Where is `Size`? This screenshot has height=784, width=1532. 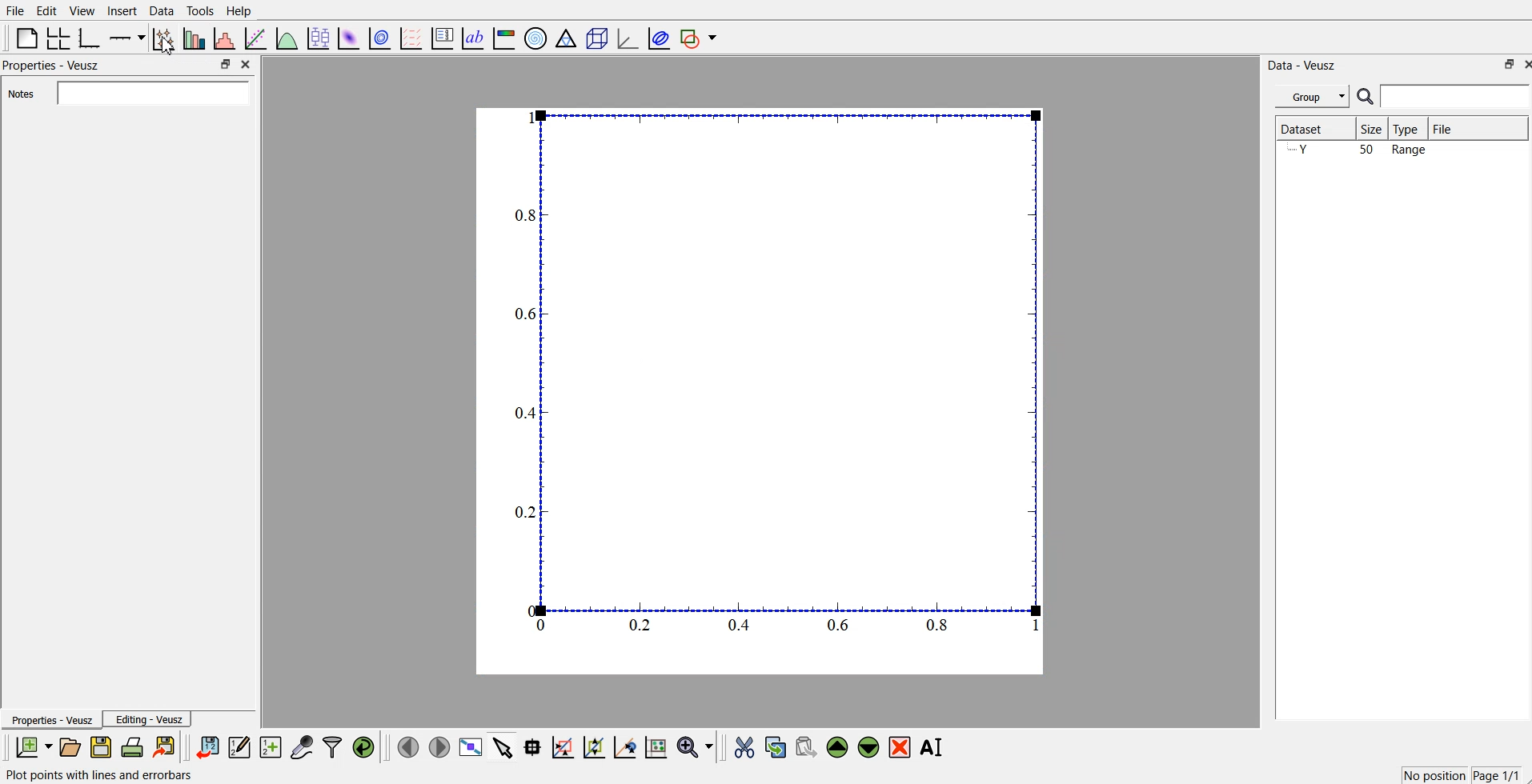 Size is located at coordinates (1375, 130).